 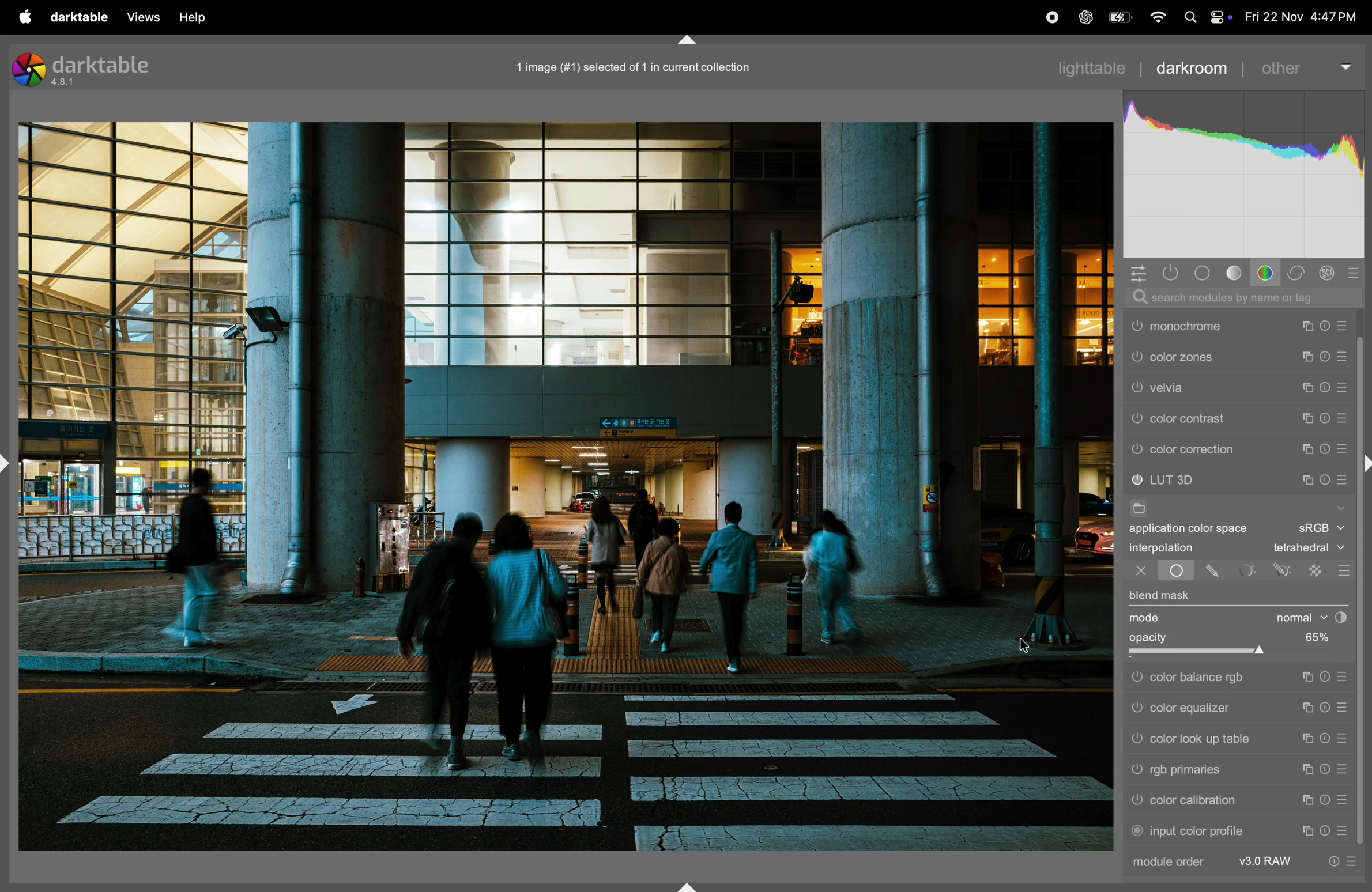 I want to click on module order, so click(x=1178, y=864).